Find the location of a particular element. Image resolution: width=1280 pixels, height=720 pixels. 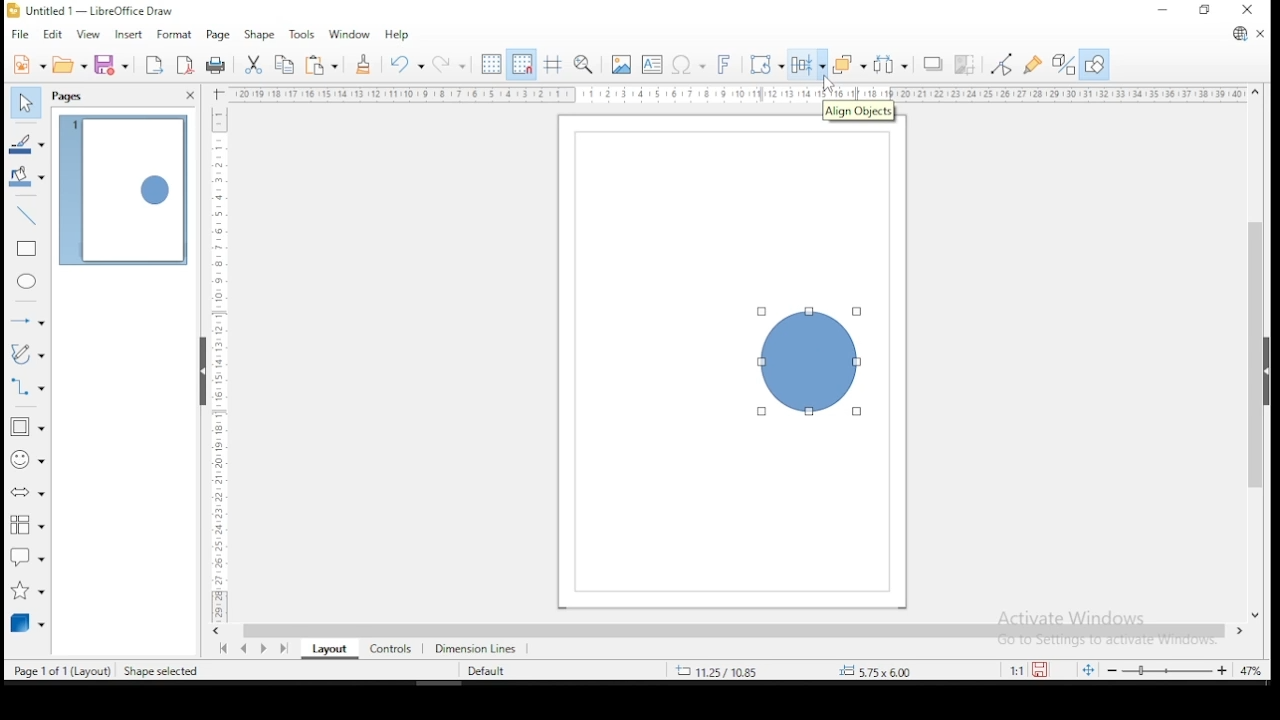

scroll bar is located at coordinates (1256, 352).